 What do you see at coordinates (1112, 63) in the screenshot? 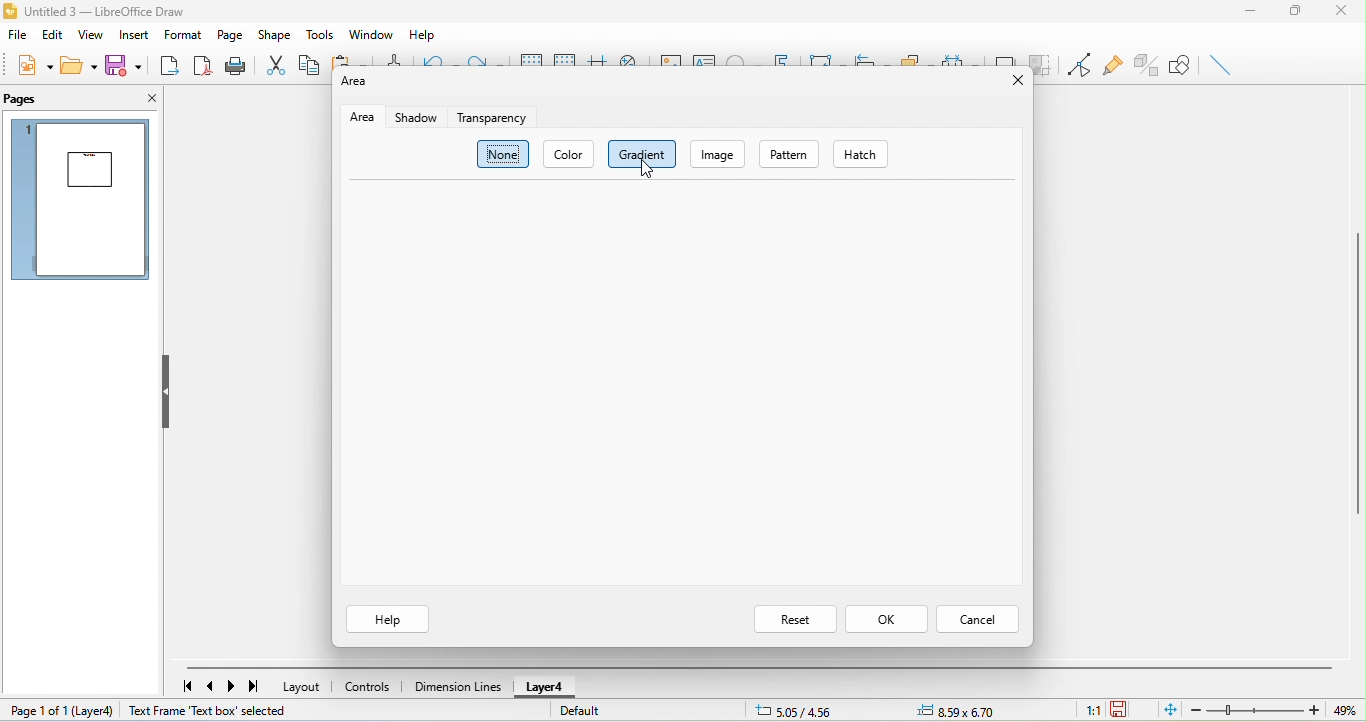
I see `glue point function` at bounding box center [1112, 63].